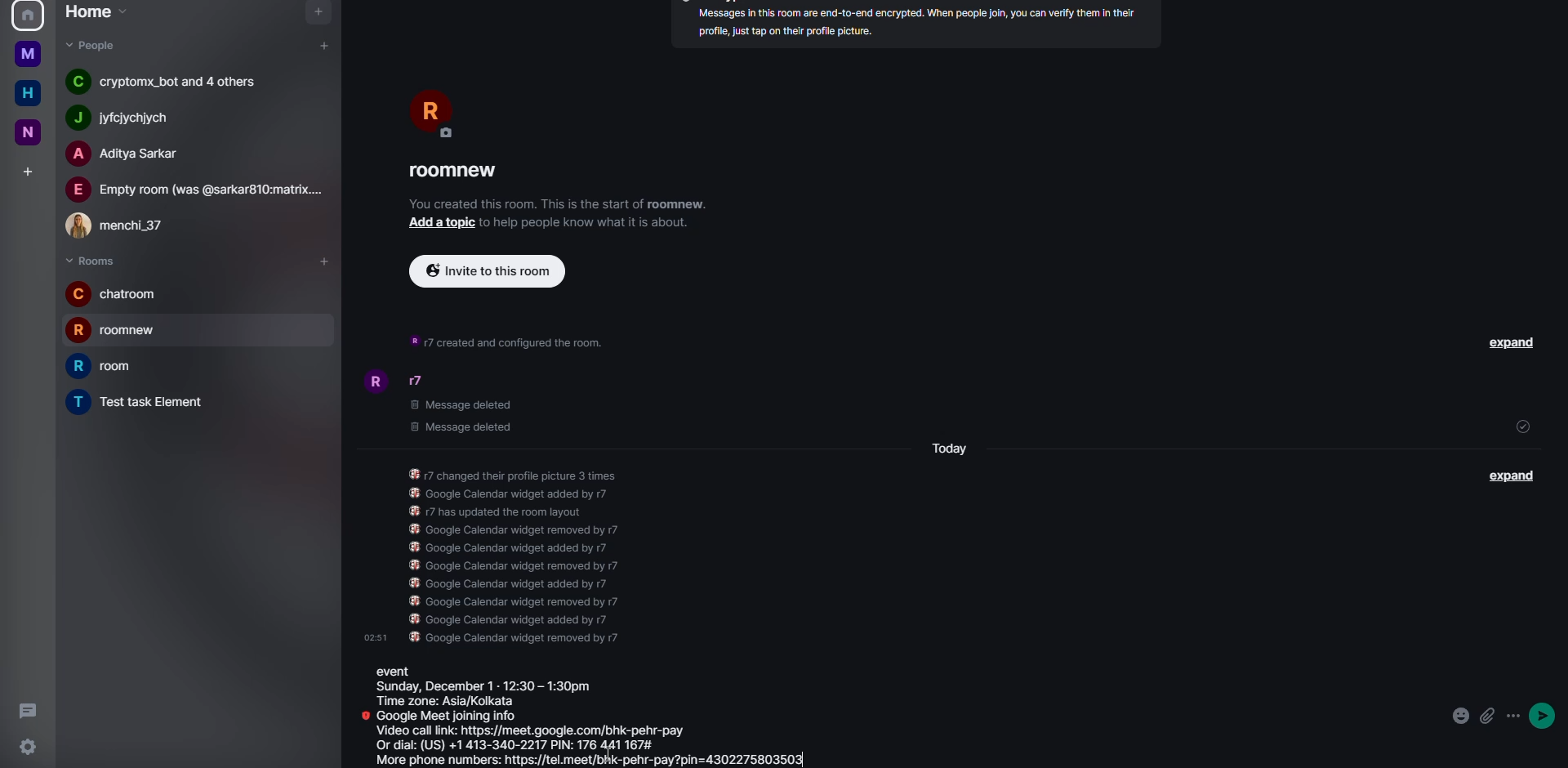  I want to click on rooms, so click(91, 260).